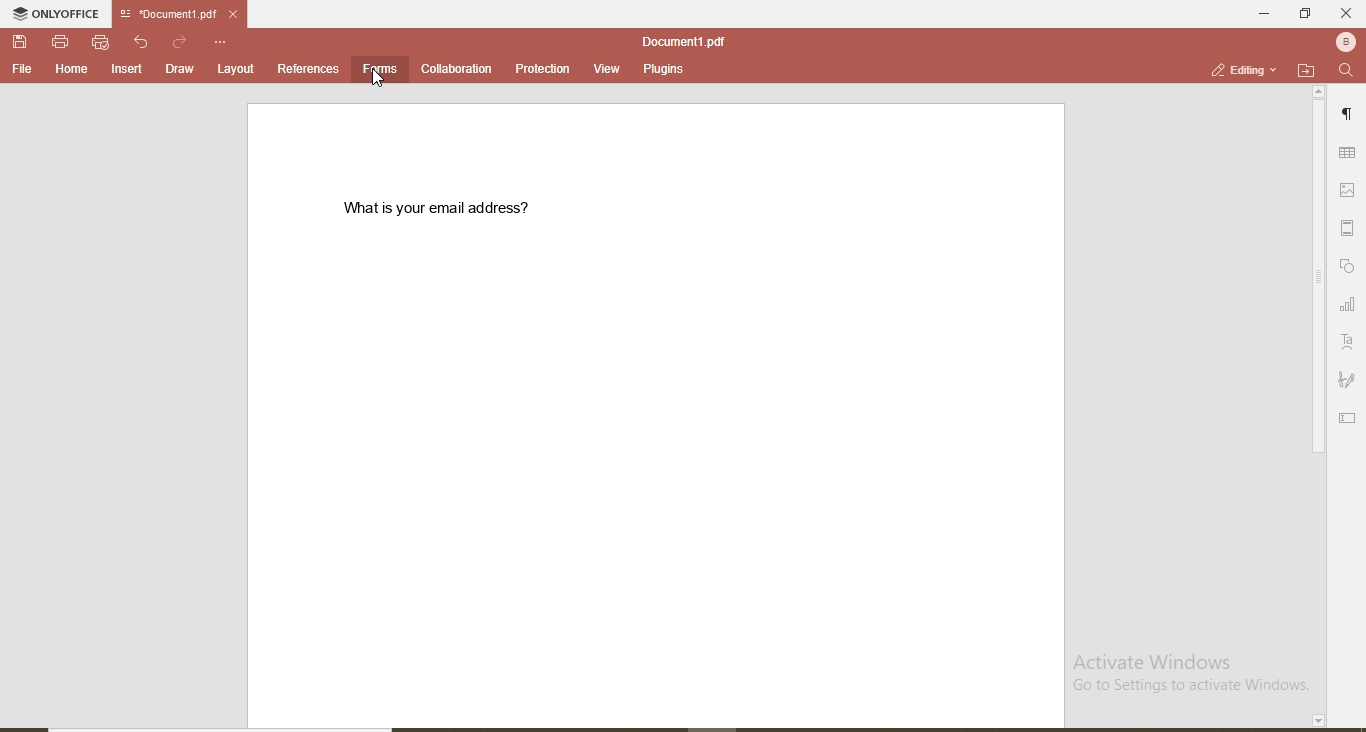 This screenshot has width=1366, height=732. What do you see at coordinates (240, 14) in the screenshot?
I see `close file` at bounding box center [240, 14].